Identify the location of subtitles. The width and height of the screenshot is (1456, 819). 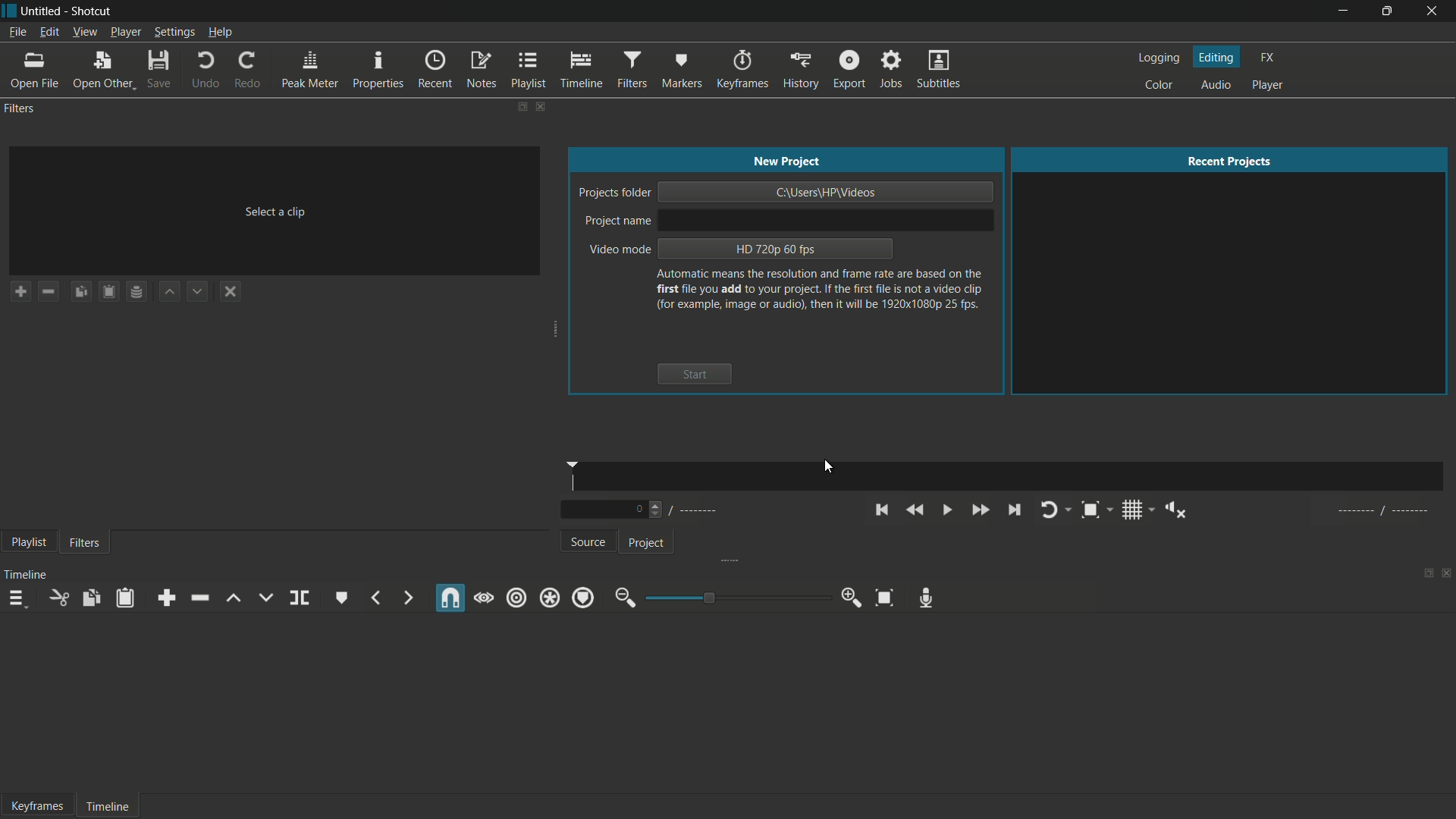
(938, 68).